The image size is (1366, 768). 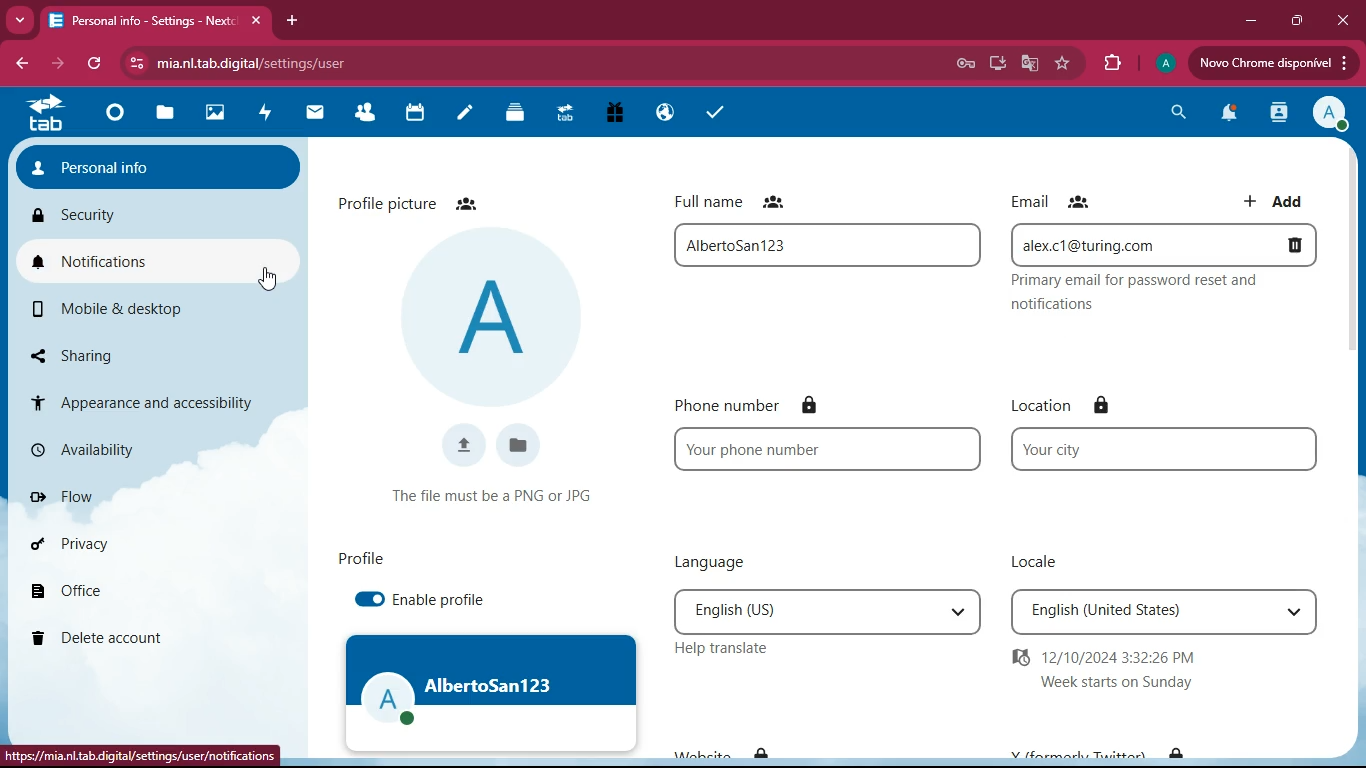 What do you see at coordinates (20, 18) in the screenshot?
I see `more` at bounding box center [20, 18].